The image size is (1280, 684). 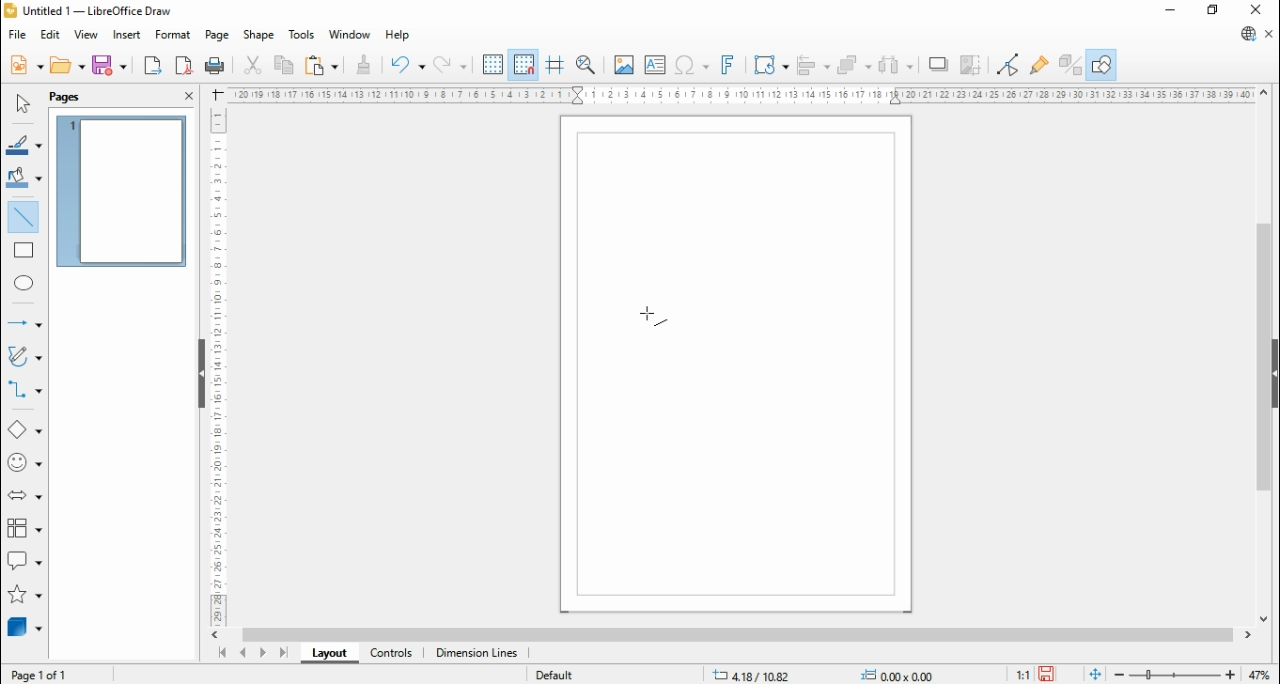 I want to click on helplines while moving, so click(x=554, y=63).